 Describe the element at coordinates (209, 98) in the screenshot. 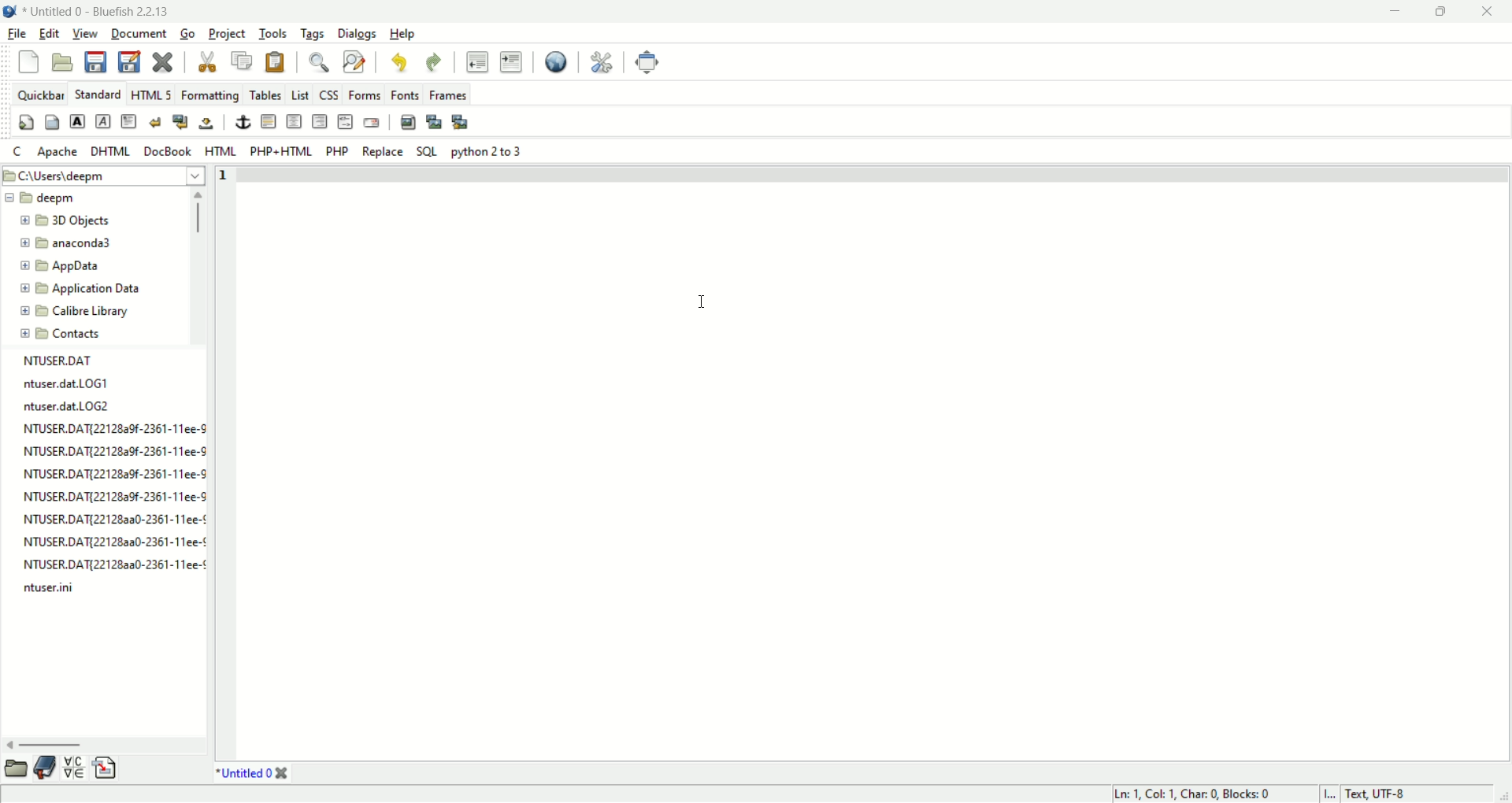

I see `formatting` at that location.